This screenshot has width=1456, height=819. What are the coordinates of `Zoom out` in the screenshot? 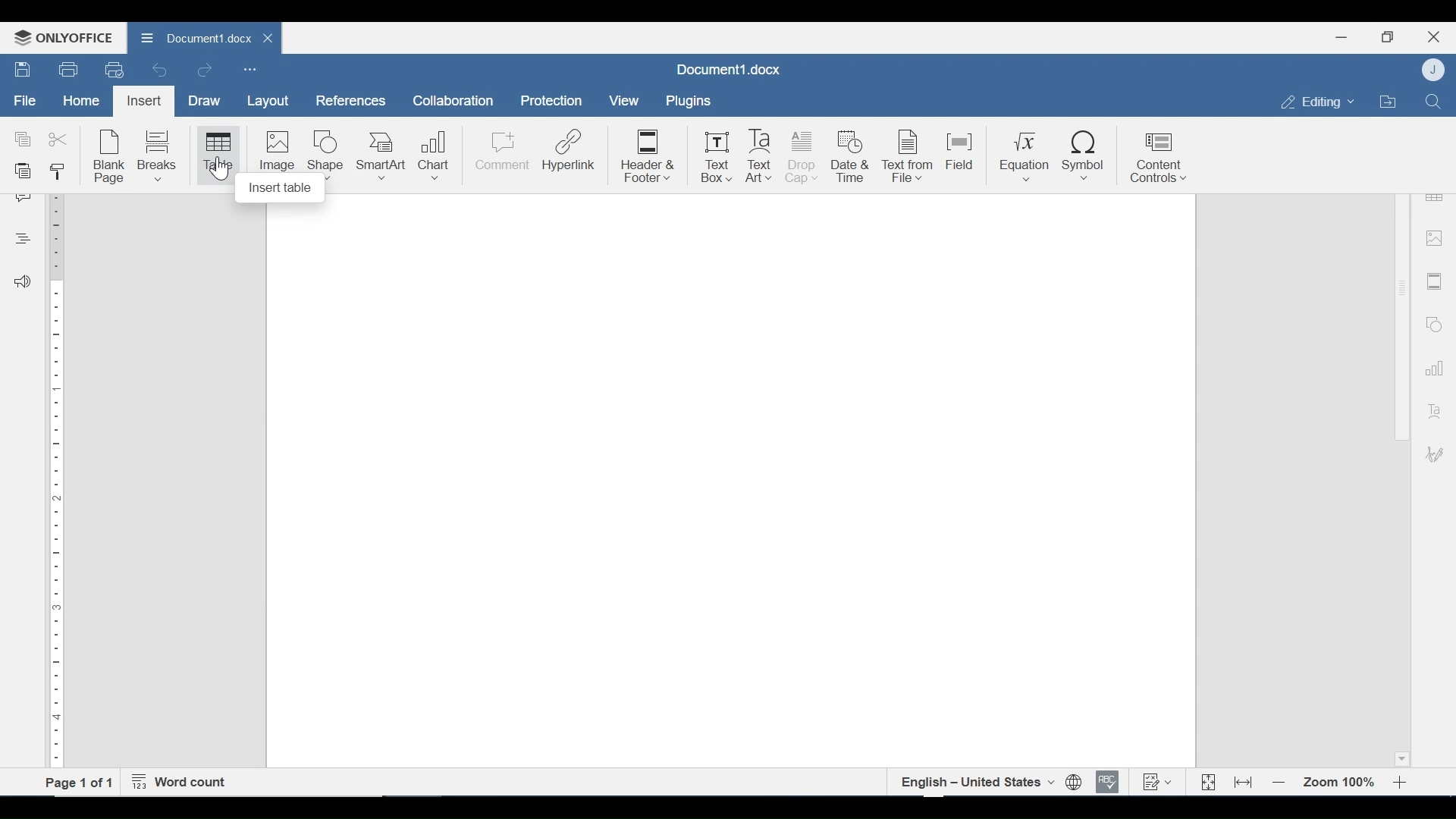 It's located at (1279, 783).